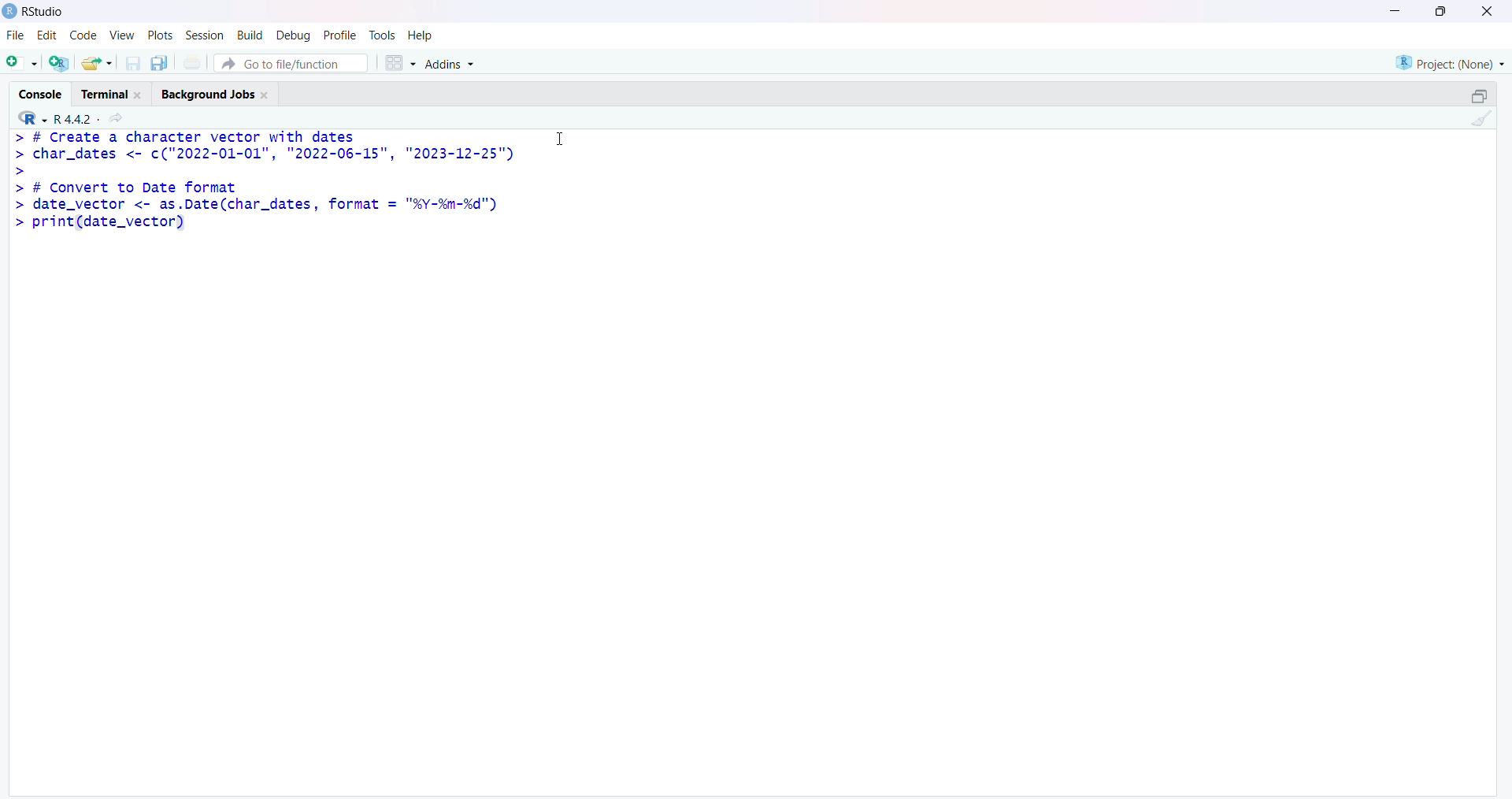 This screenshot has height=799, width=1512. What do you see at coordinates (1399, 9) in the screenshot?
I see `Minimize` at bounding box center [1399, 9].